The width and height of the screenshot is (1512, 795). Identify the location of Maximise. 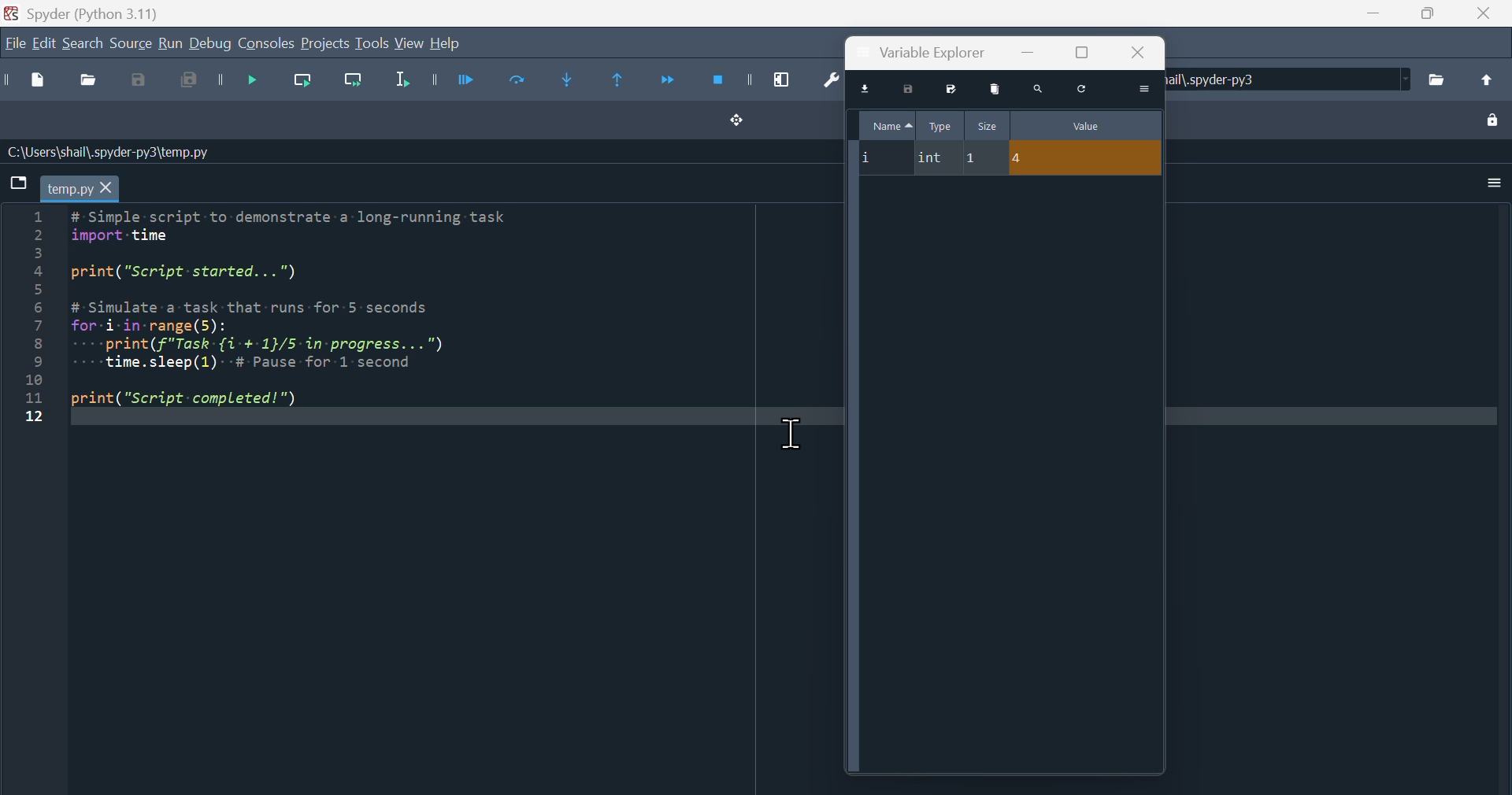
(1424, 13).